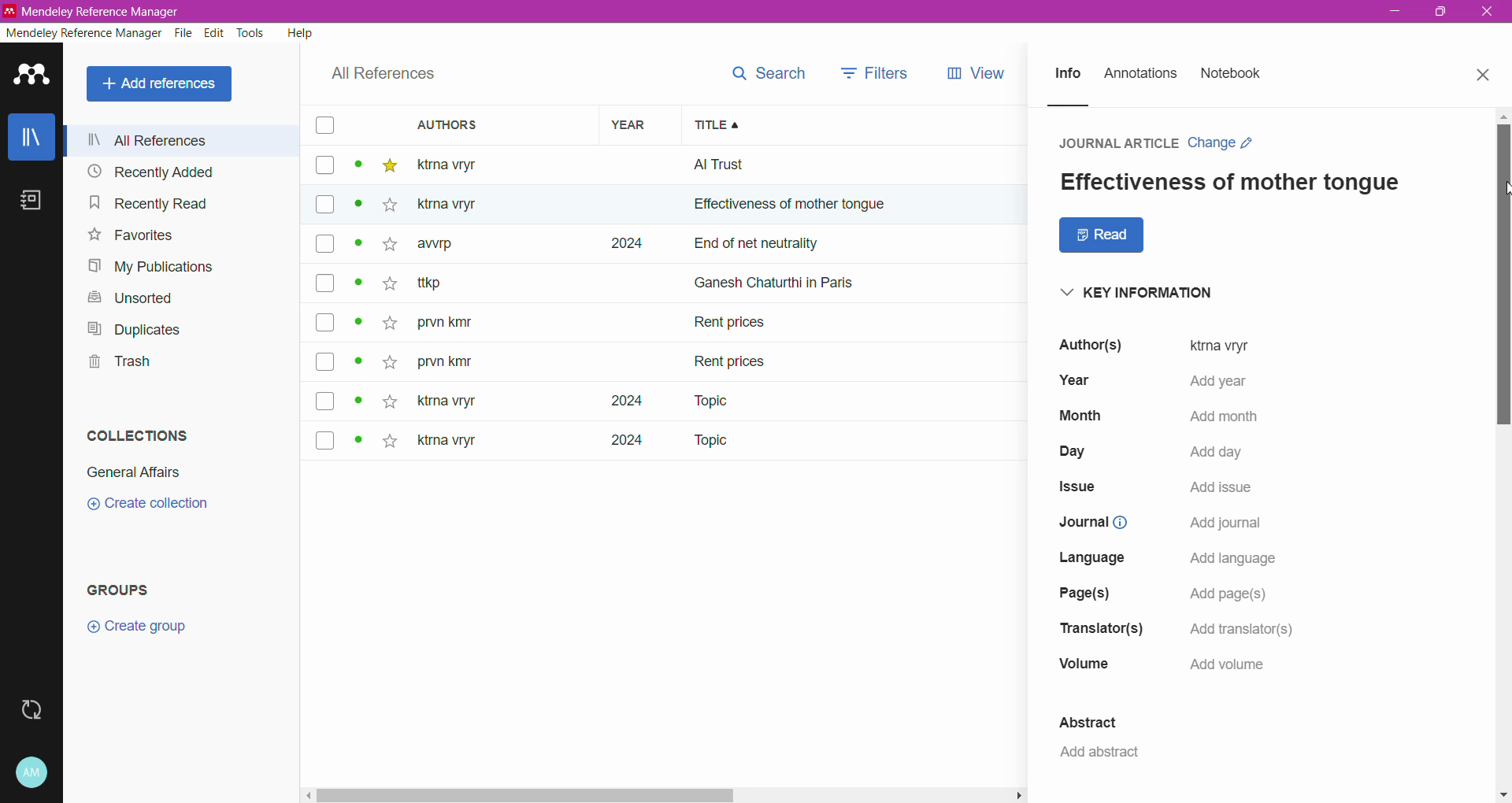 This screenshot has height=803, width=1512. What do you see at coordinates (1221, 523) in the screenshot?
I see `Click to add journal` at bounding box center [1221, 523].